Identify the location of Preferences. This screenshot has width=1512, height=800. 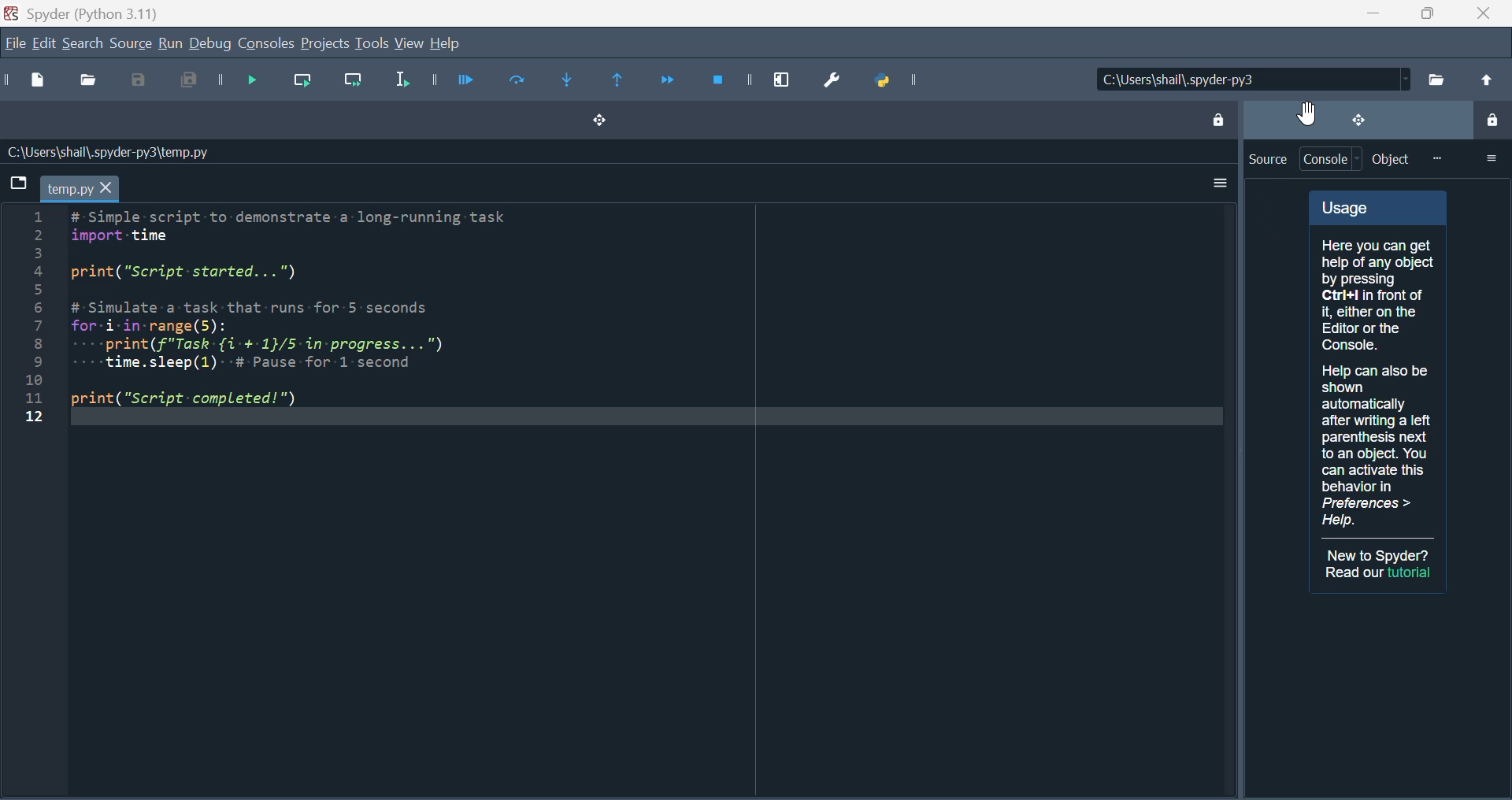
(838, 78).